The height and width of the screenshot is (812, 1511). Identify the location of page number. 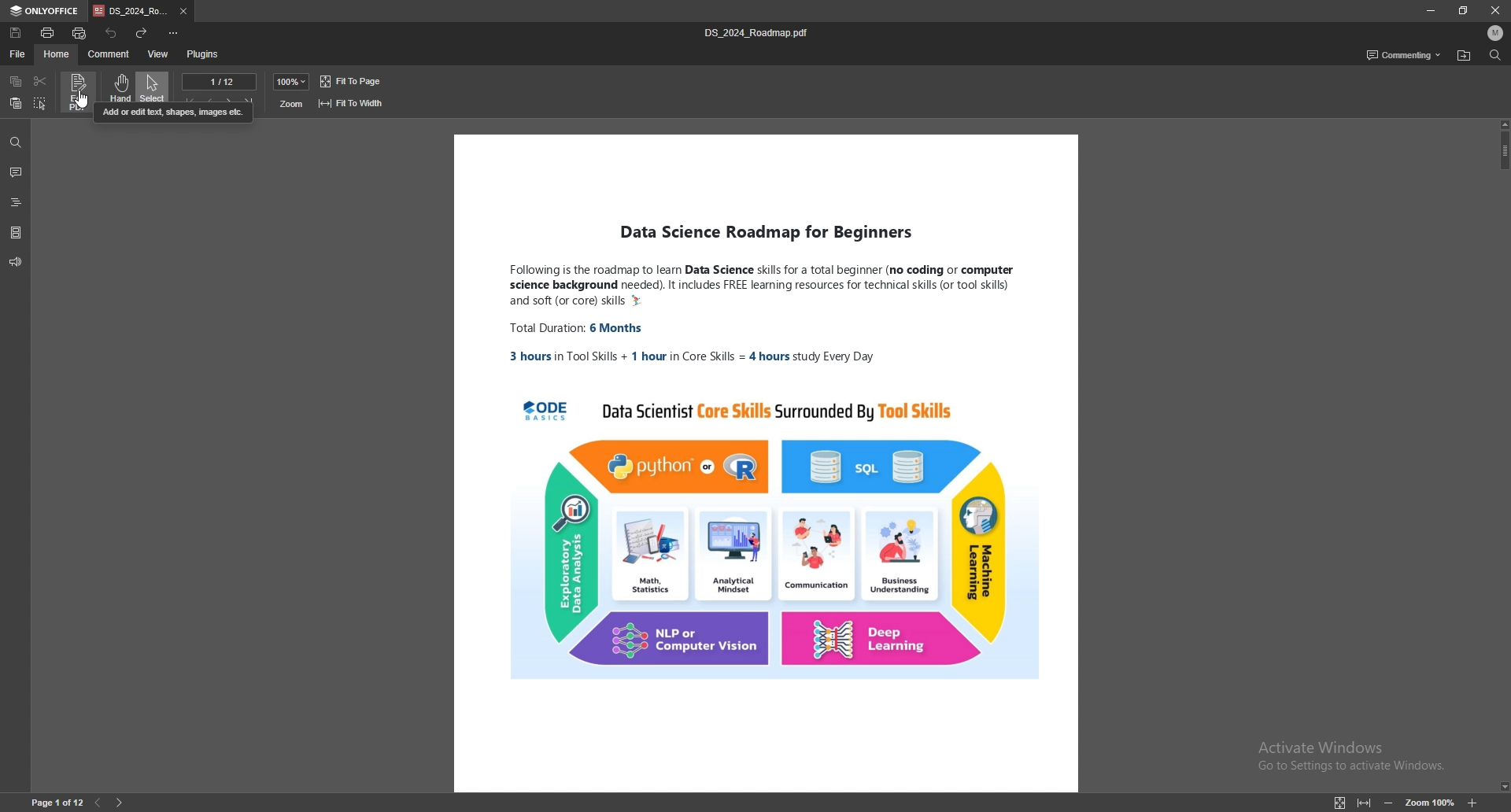
(57, 803).